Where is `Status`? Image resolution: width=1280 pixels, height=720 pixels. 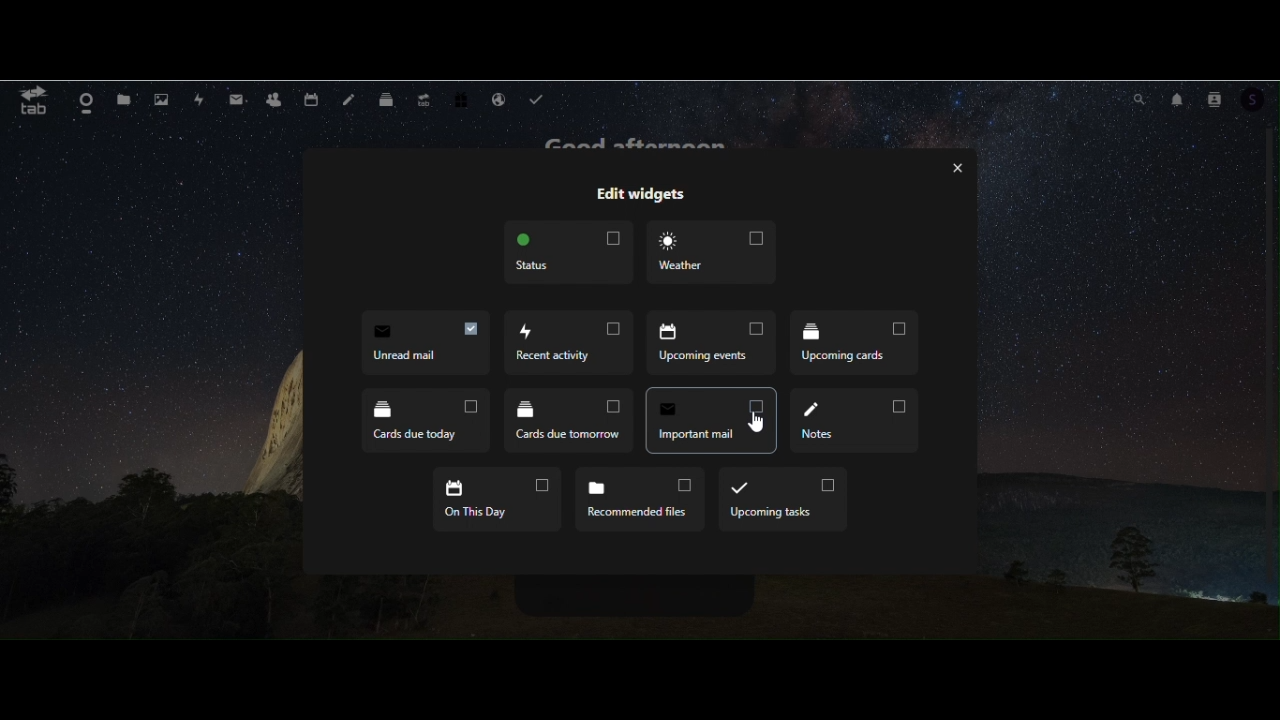
Status is located at coordinates (564, 254).